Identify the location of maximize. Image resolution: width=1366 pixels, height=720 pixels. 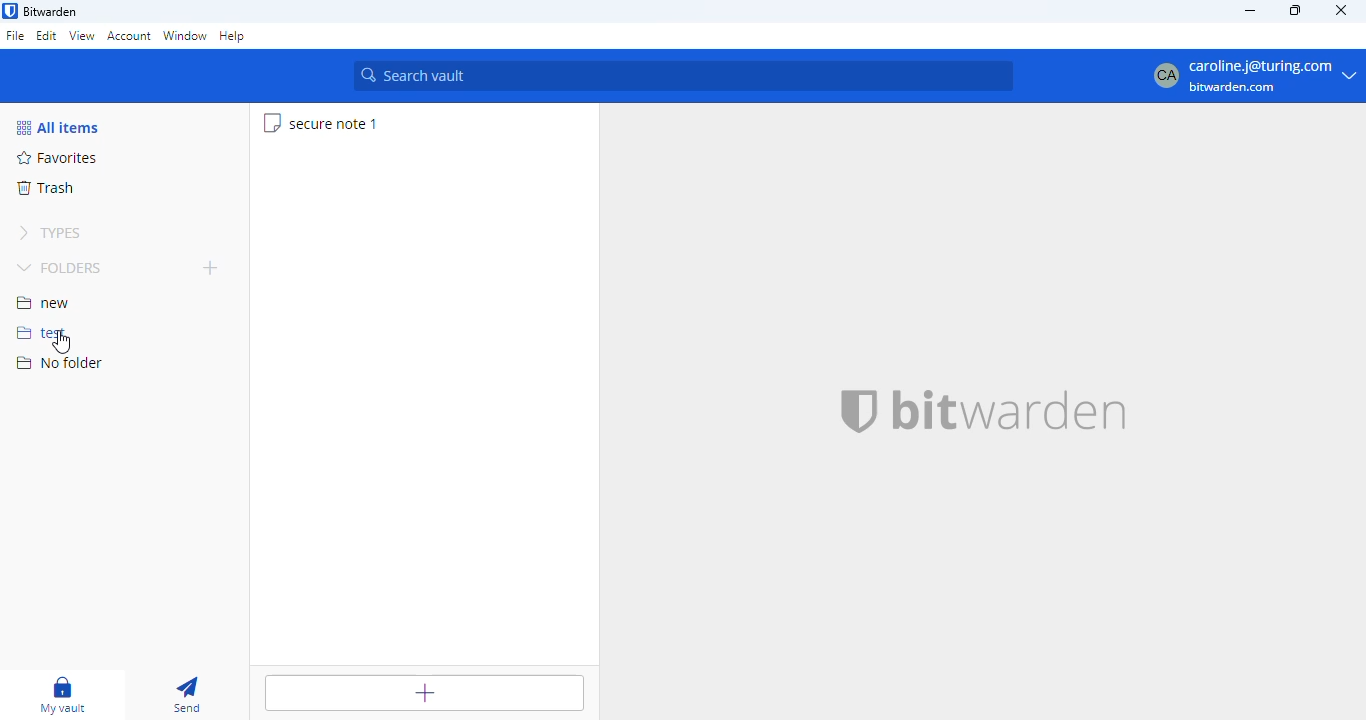
(1295, 11).